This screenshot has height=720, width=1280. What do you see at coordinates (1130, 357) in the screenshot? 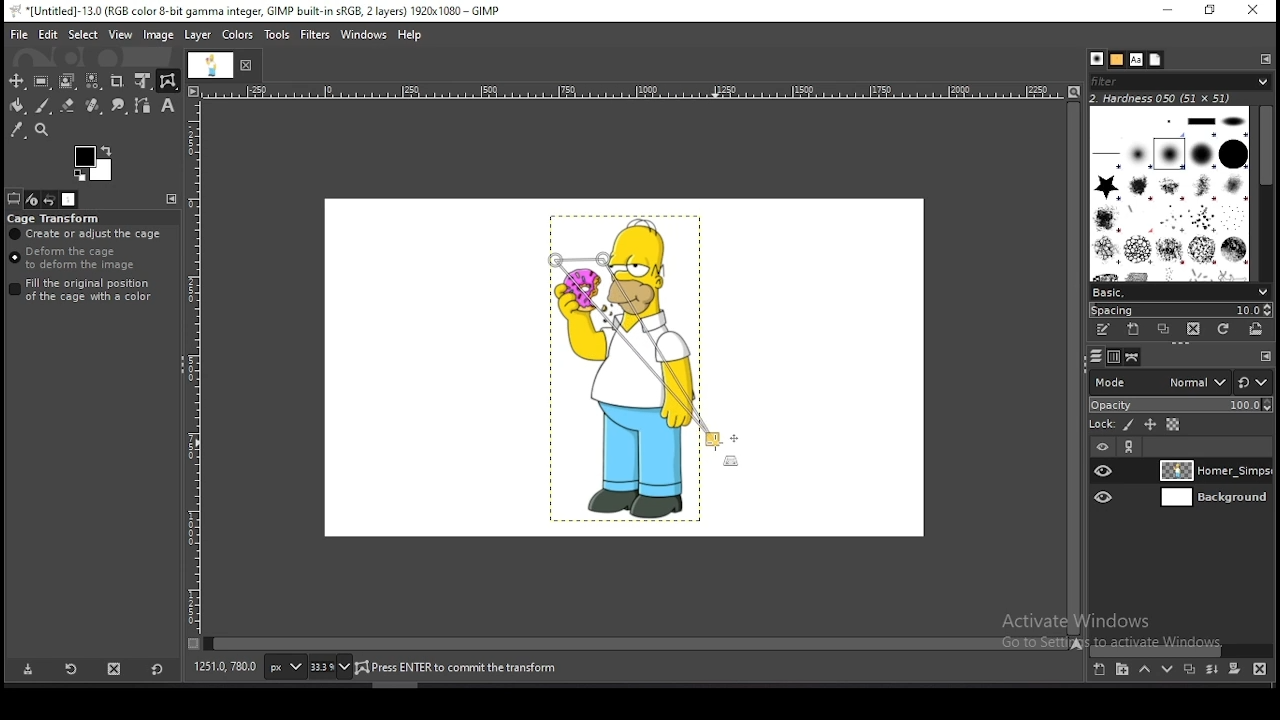
I see `paths` at bounding box center [1130, 357].